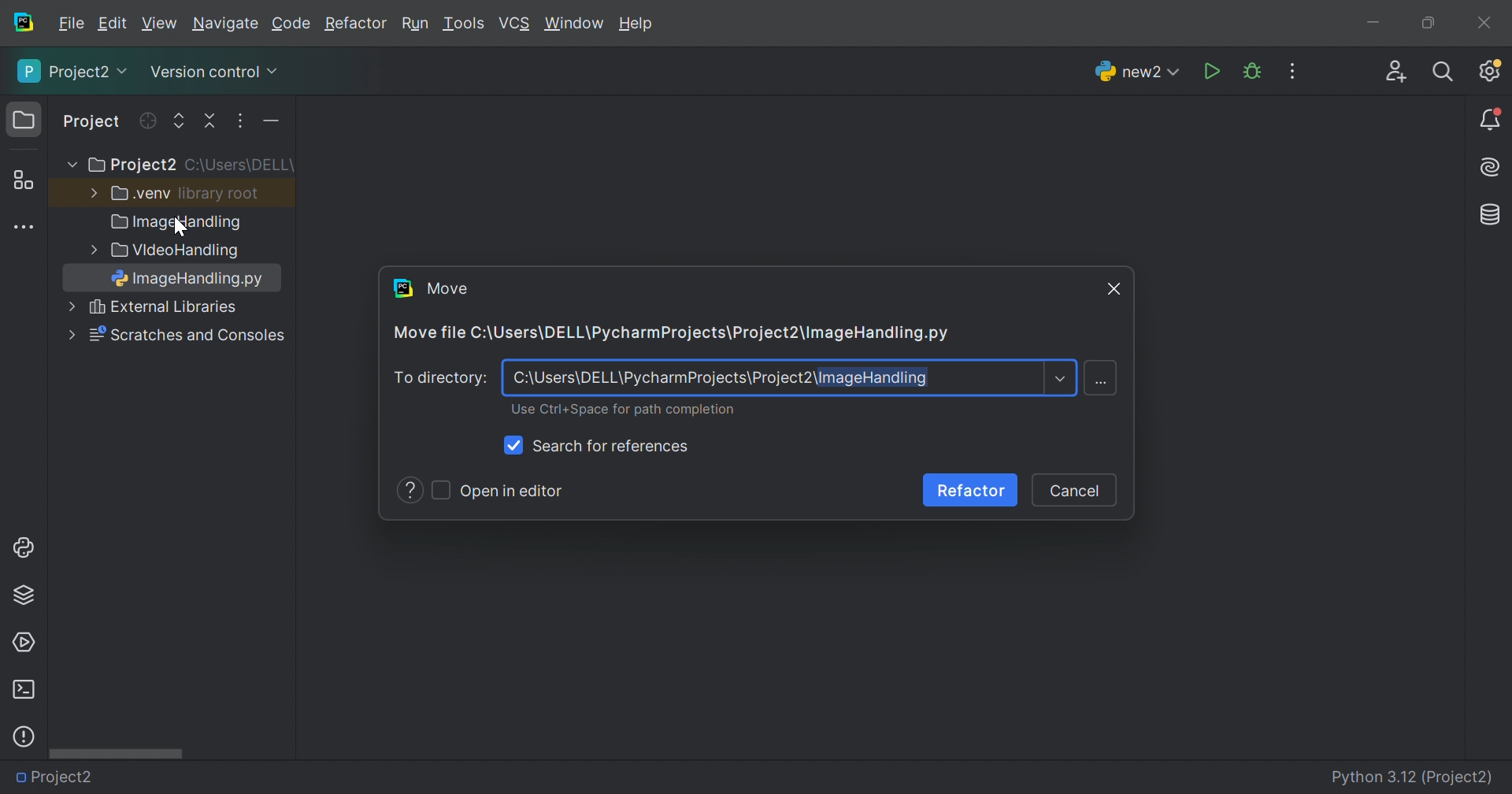 The image size is (1512, 794). What do you see at coordinates (131, 165) in the screenshot?
I see `Project2` at bounding box center [131, 165].